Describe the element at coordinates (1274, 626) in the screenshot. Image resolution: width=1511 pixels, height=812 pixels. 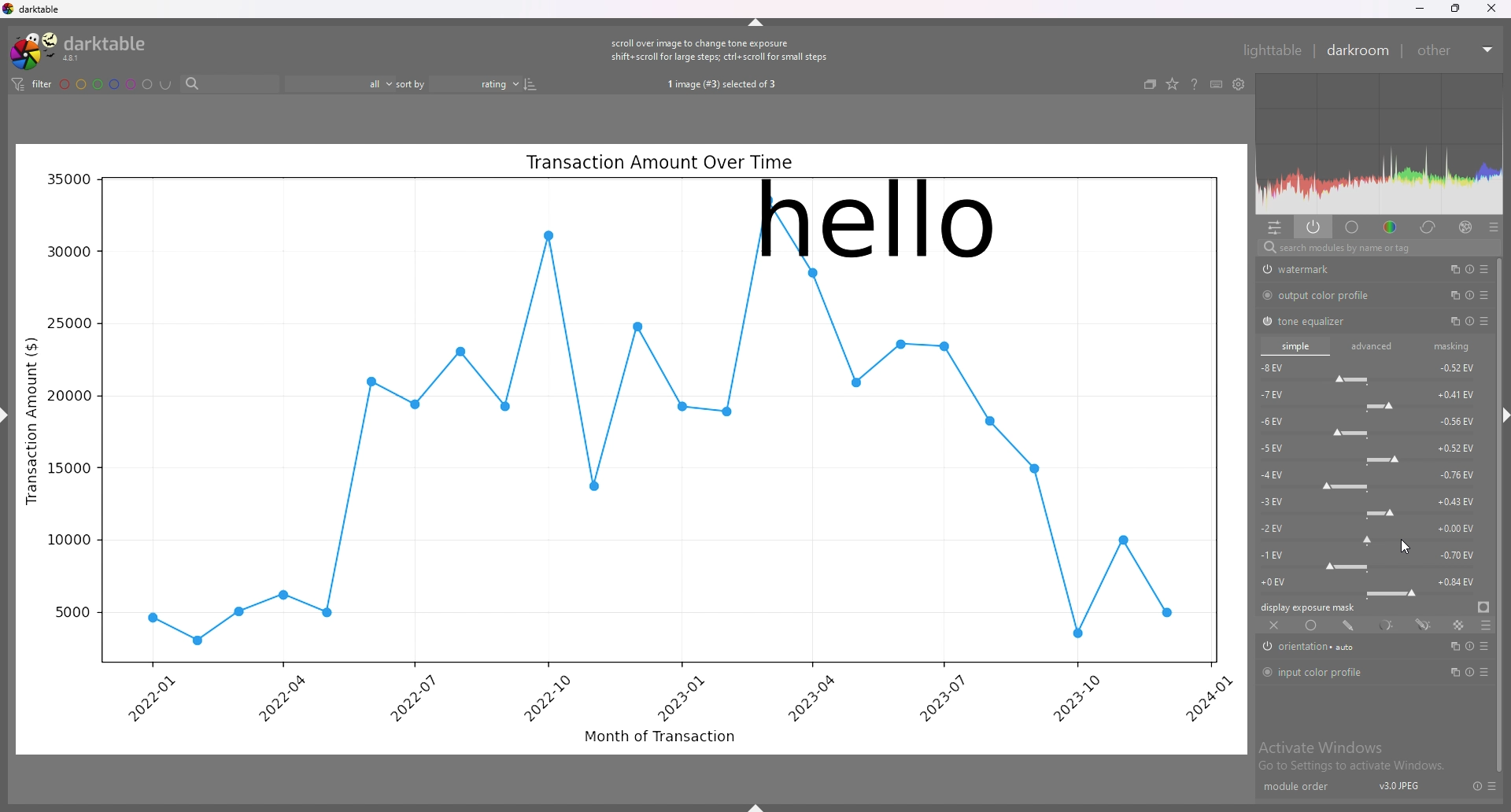
I see `off` at that location.